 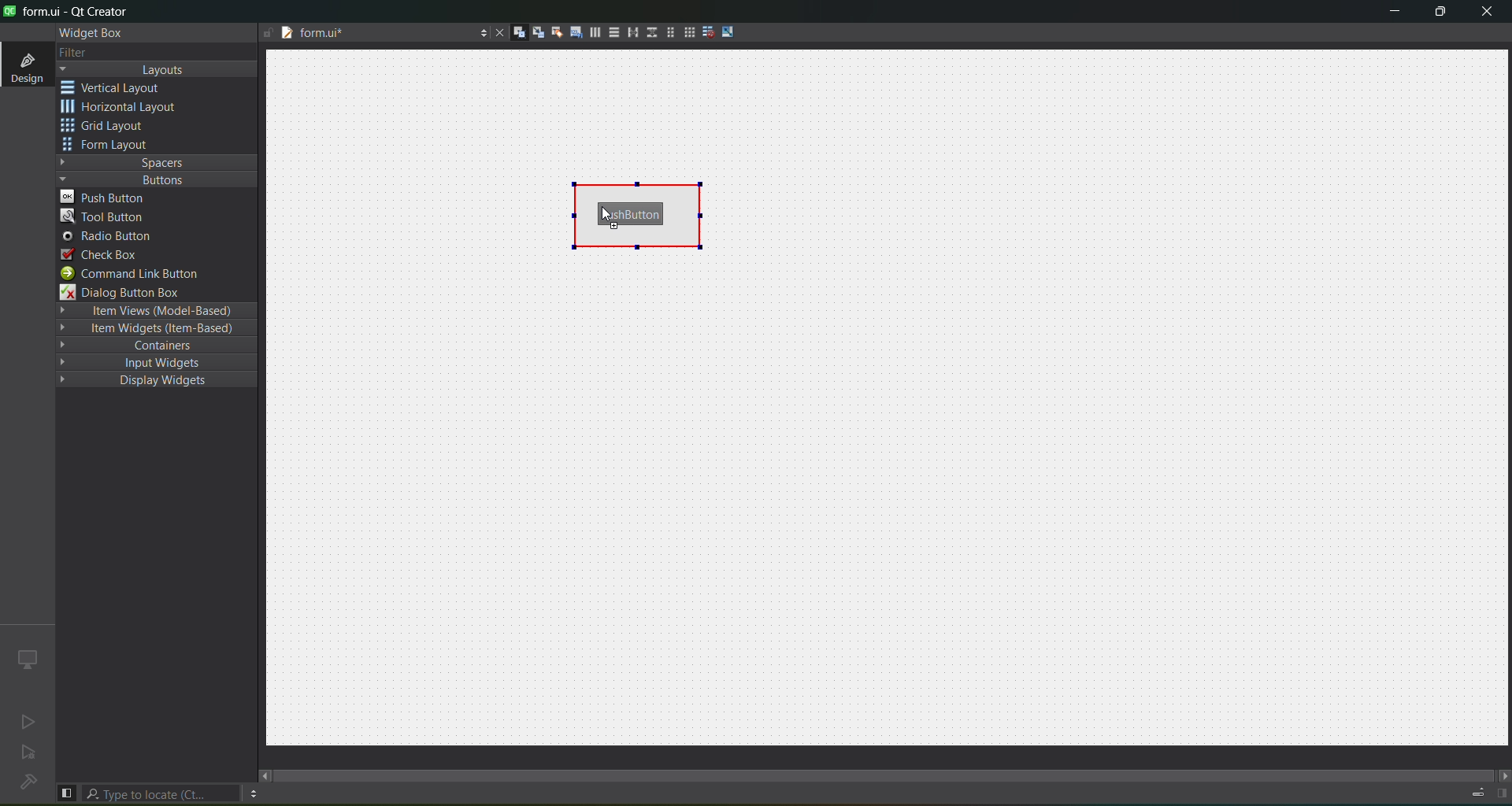 What do you see at coordinates (519, 33) in the screenshot?
I see `edit widgets` at bounding box center [519, 33].